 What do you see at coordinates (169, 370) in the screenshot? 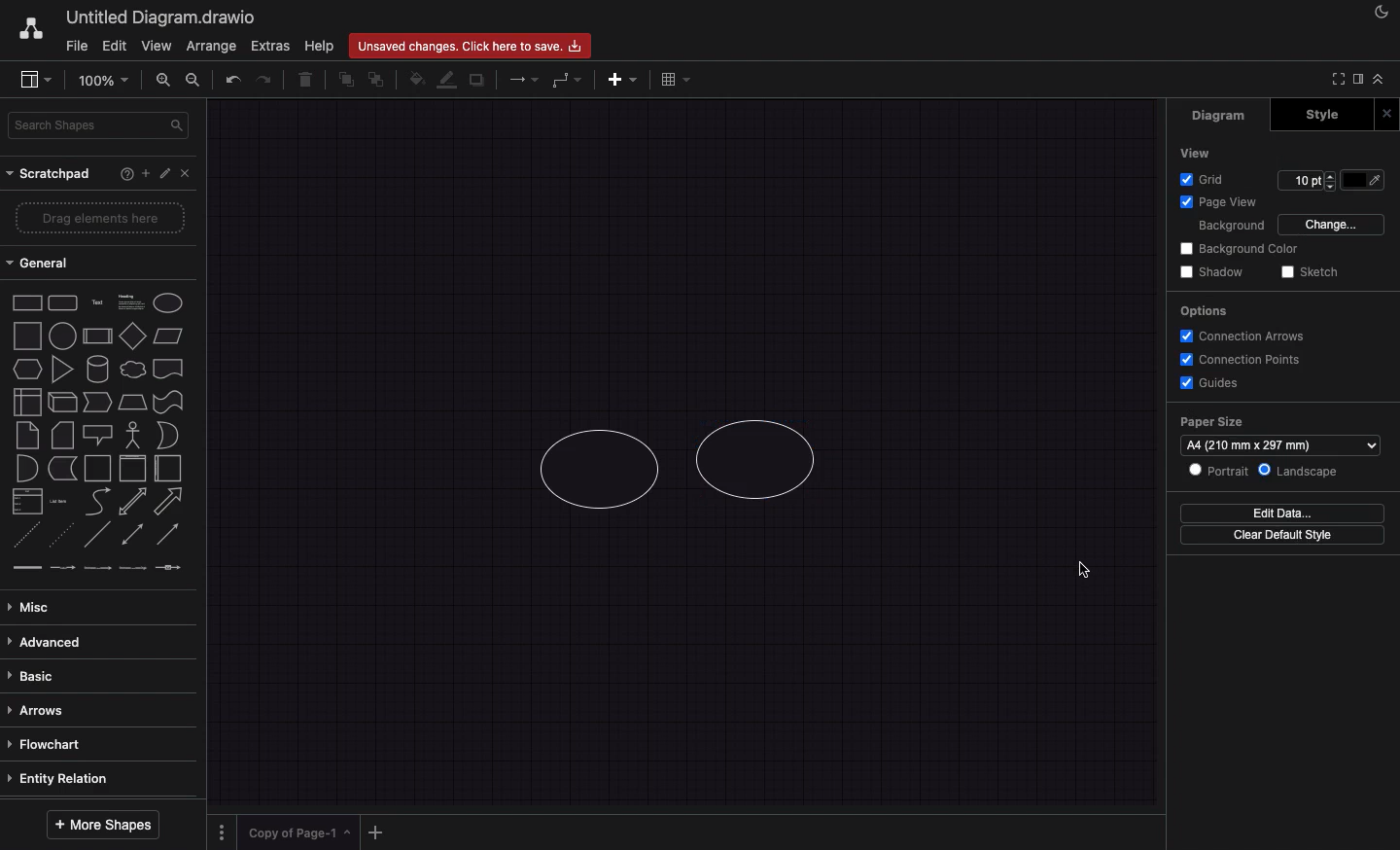
I see `document` at bounding box center [169, 370].